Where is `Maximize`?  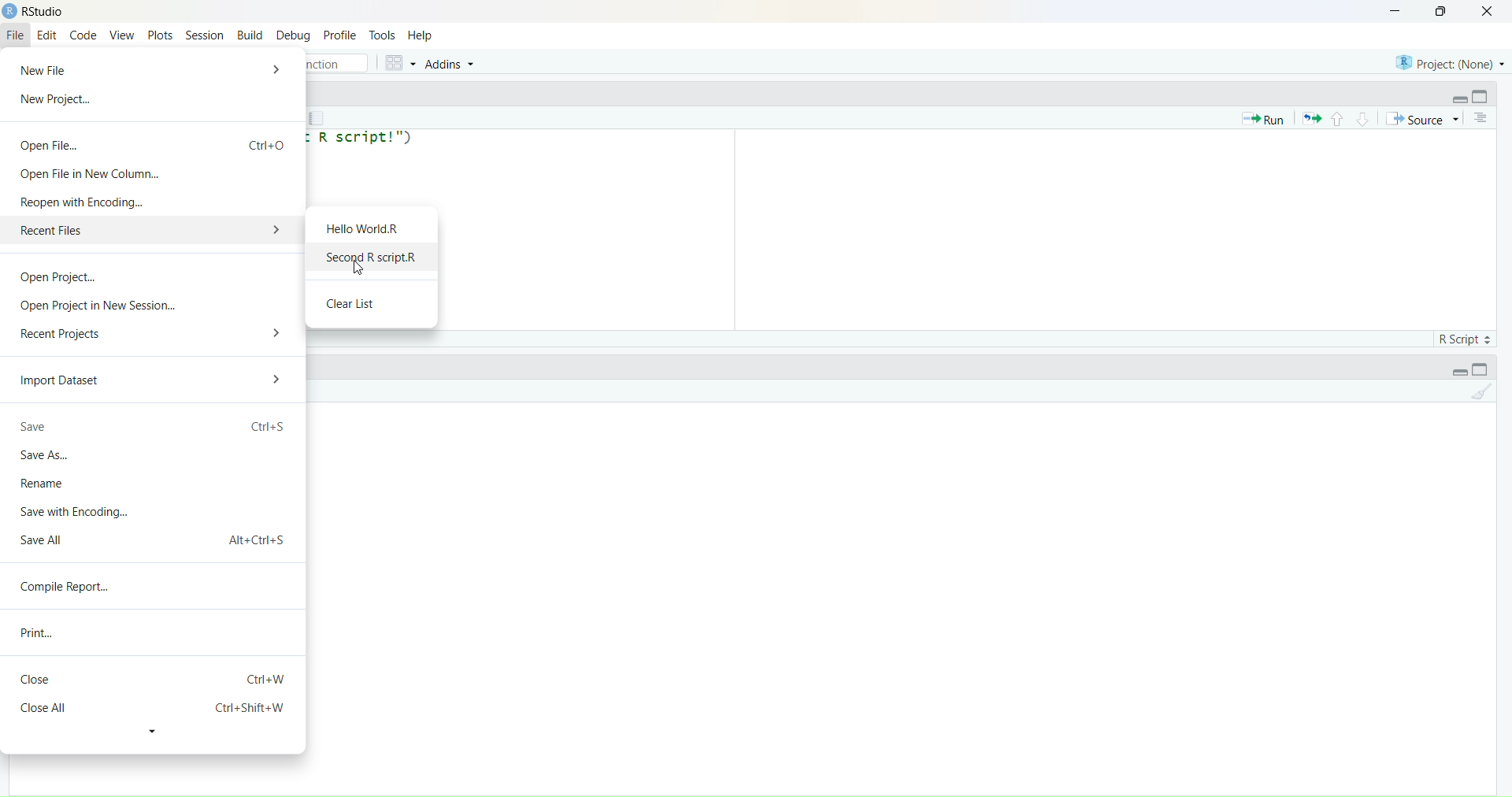
Maximize is located at coordinates (1444, 11).